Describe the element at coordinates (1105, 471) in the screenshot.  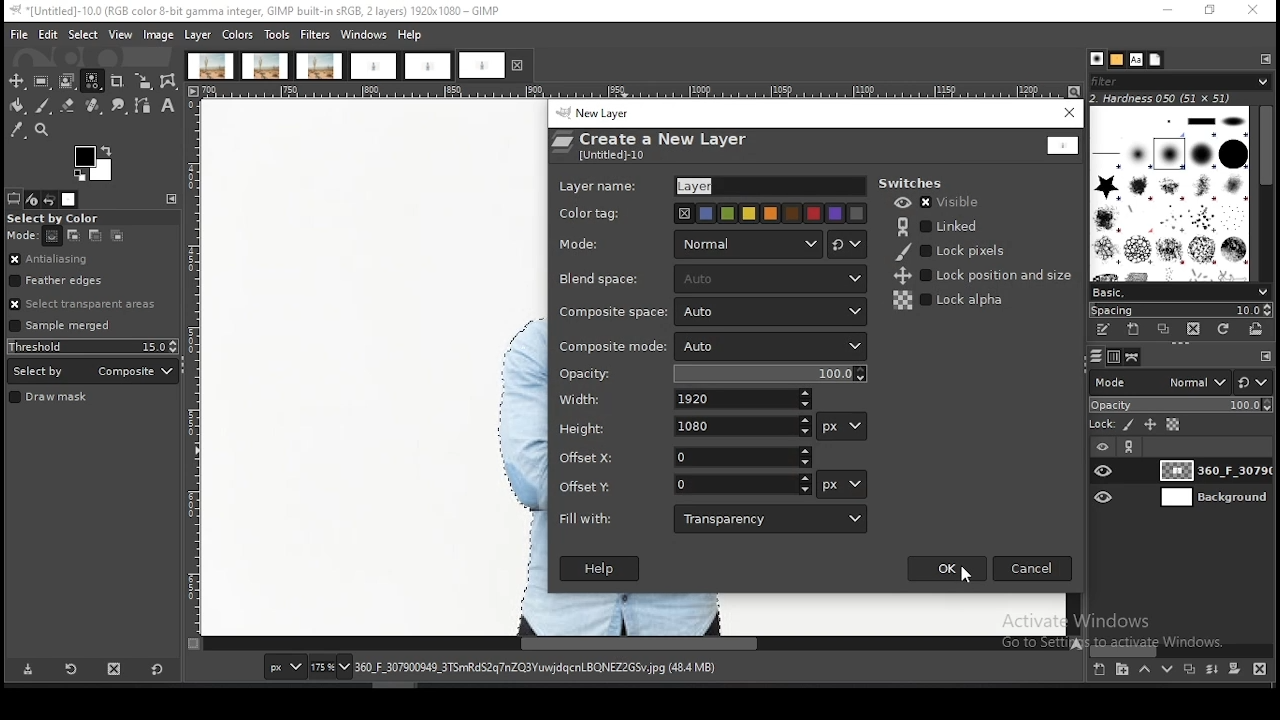
I see `layer visibility on/off` at that location.